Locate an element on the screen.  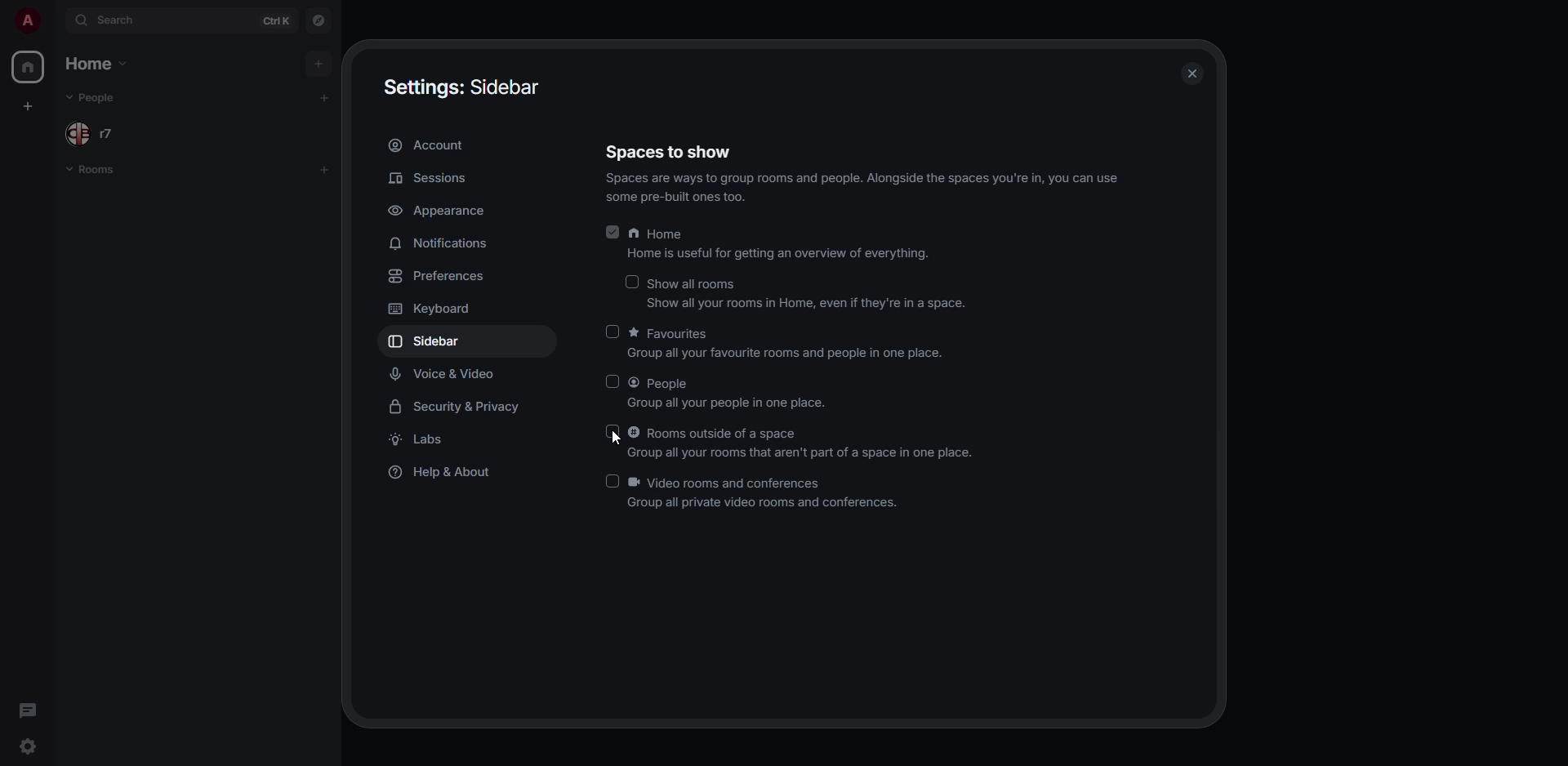
click to enable is located at coordinates (610, 482).